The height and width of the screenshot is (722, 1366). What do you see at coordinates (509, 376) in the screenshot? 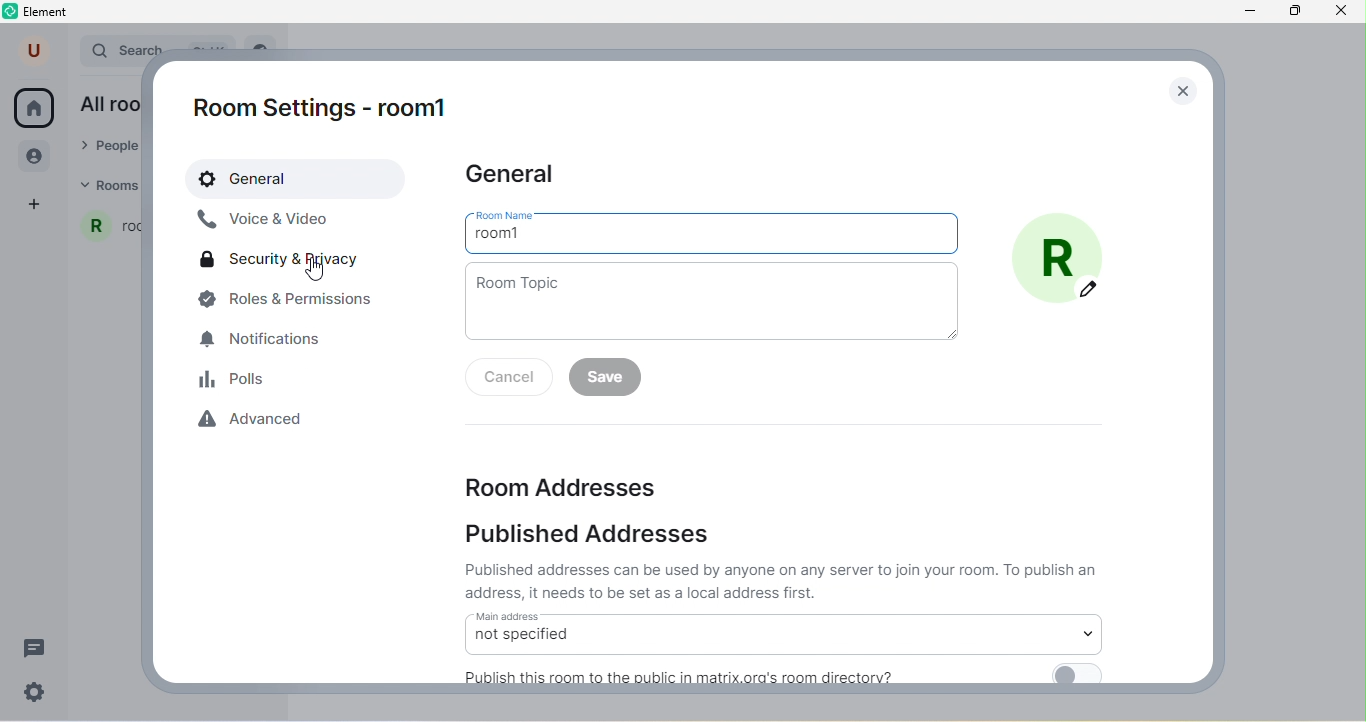
I see `cancel` at bounding box center [509, 376].